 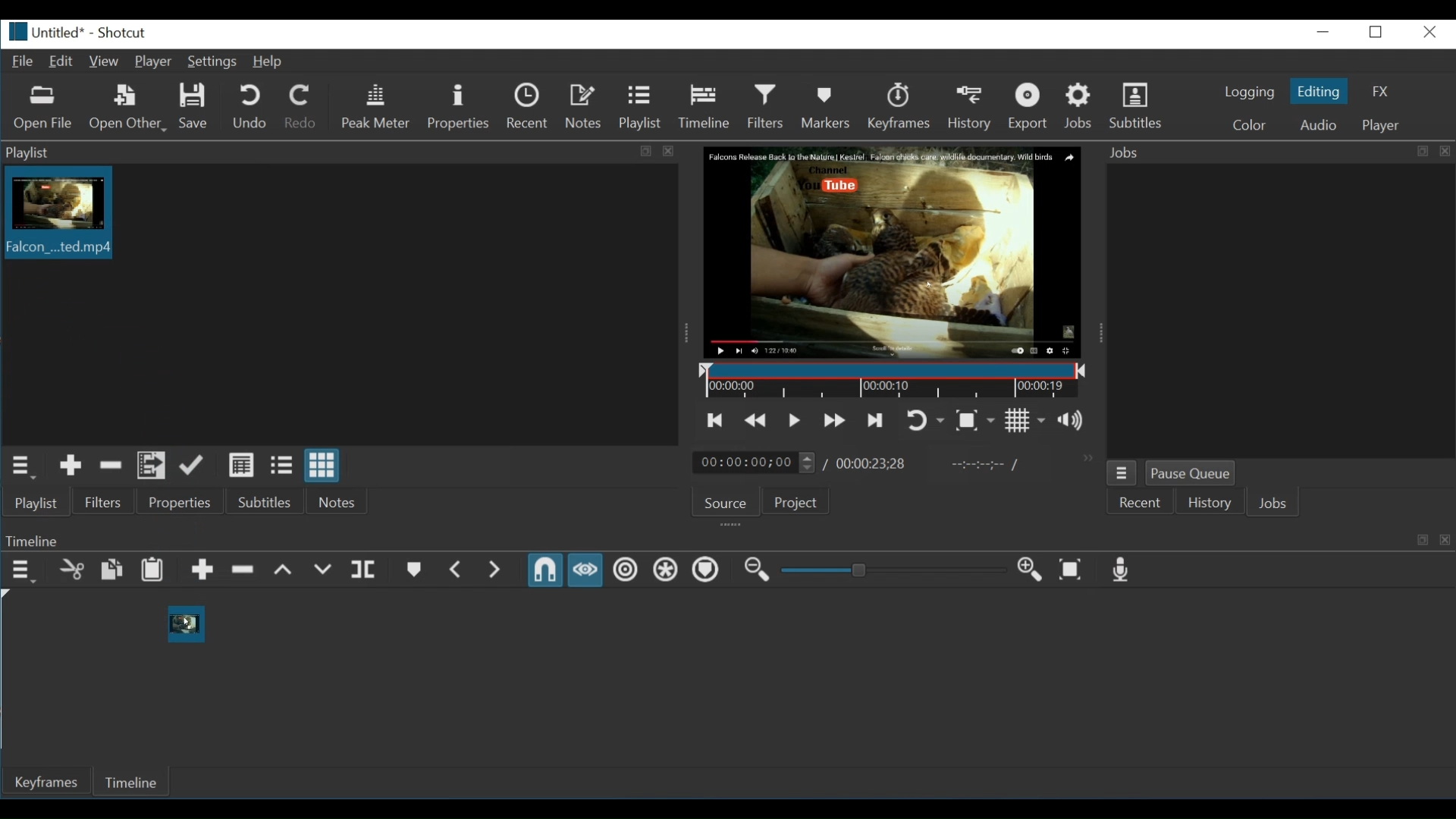 I want to click on Jobs Panel, so click(x=1277, y=152).